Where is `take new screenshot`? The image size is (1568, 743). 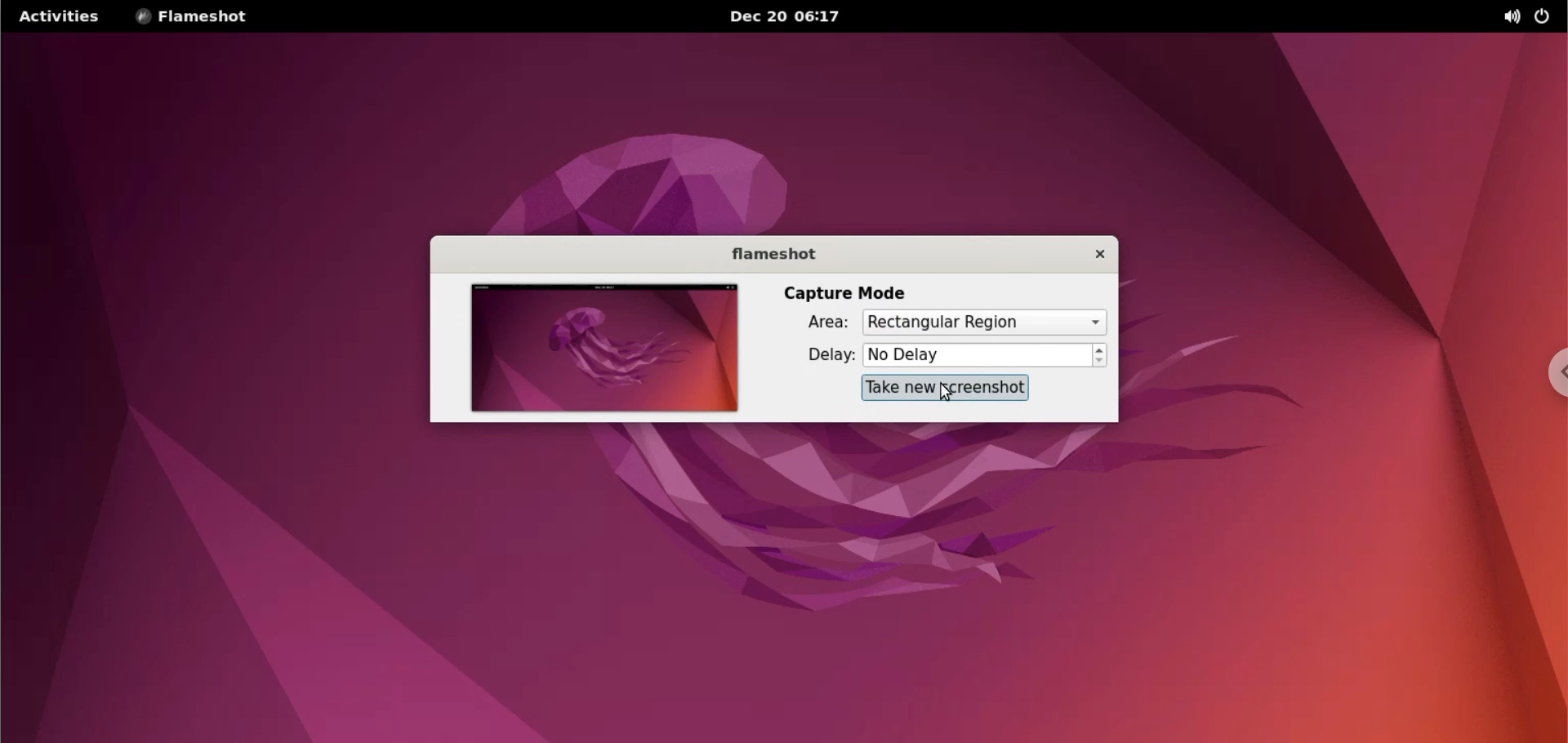
take new screenshot is located at coordinates (944, 387).